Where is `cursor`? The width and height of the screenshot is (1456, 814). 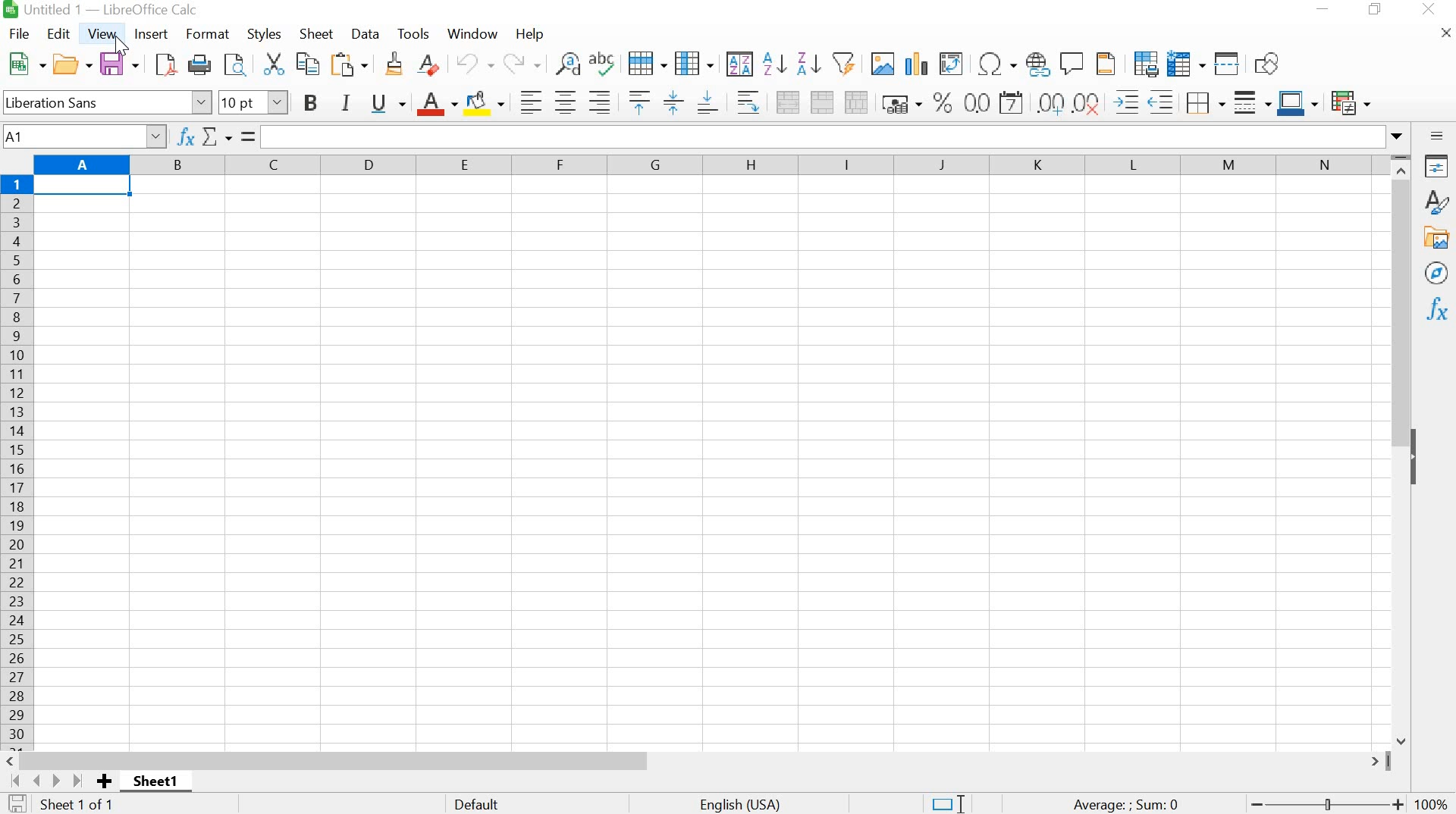
cursor is located at coordinates (127, 47).